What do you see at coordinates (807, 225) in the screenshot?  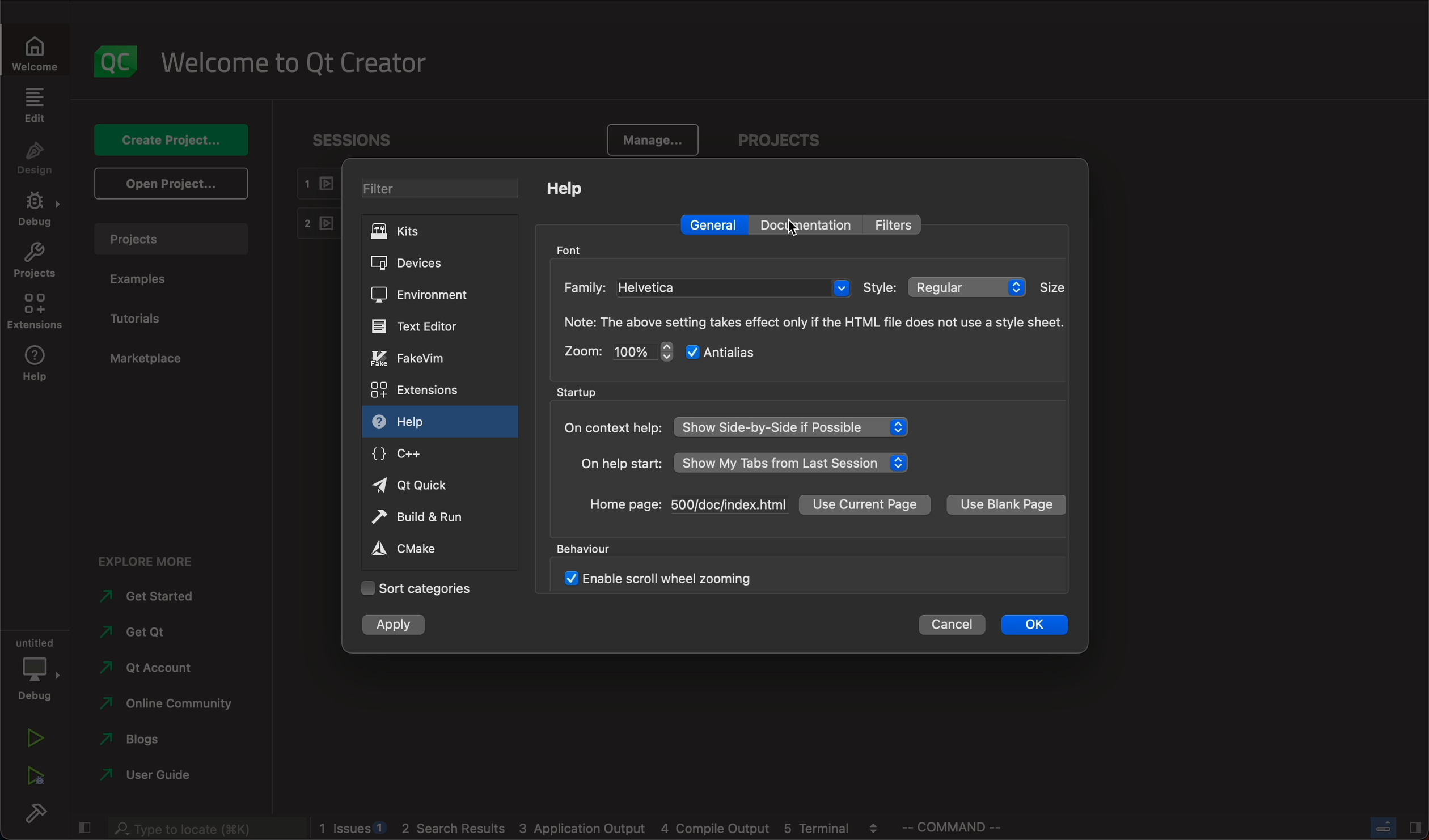 I see `documentation` at bounding box center [807, 225].